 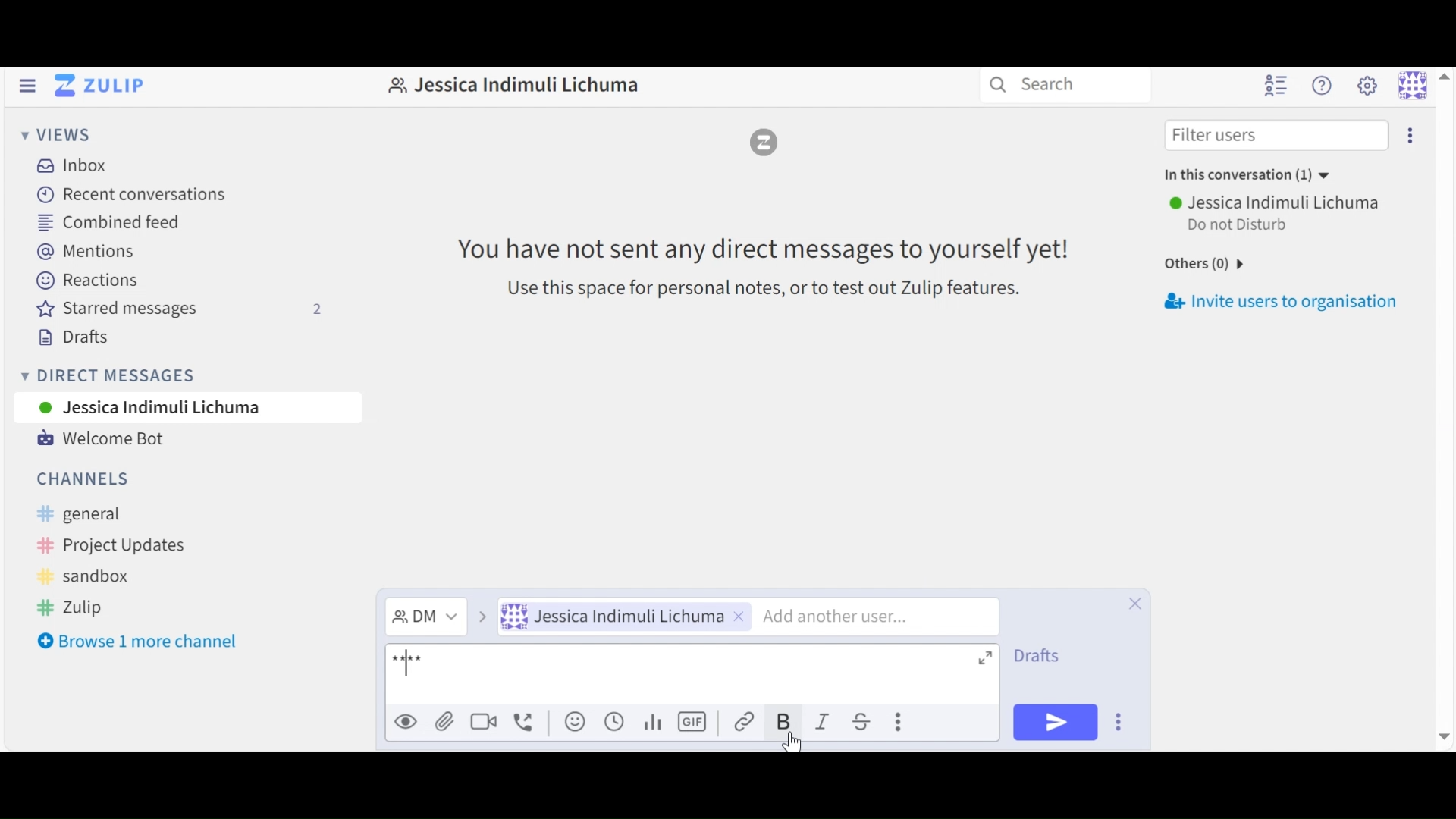 I want to click on sandbox, so click(x=89, y=576).